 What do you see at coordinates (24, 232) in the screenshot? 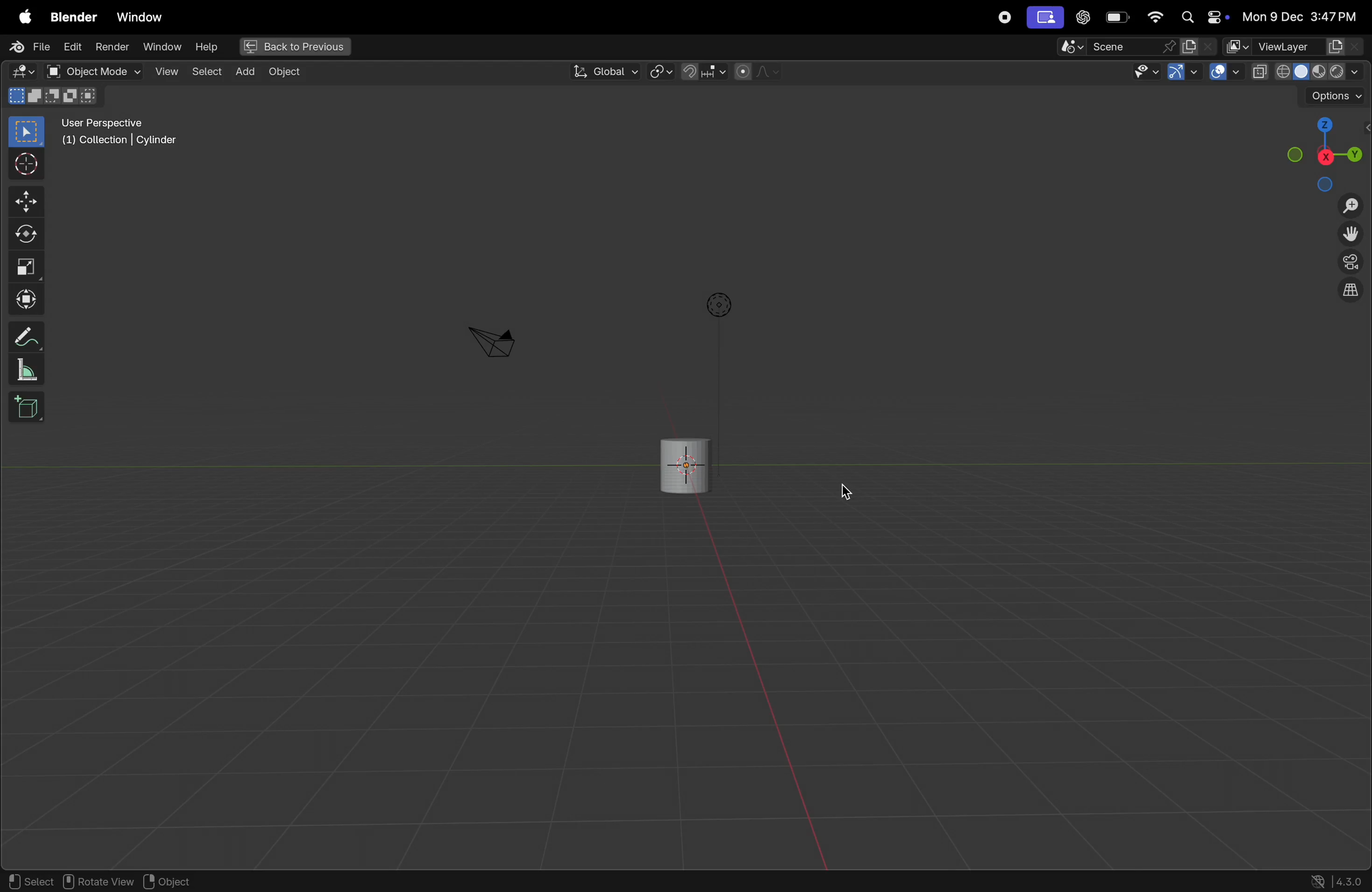
I see `rotate` at bounding box center [24, 232].